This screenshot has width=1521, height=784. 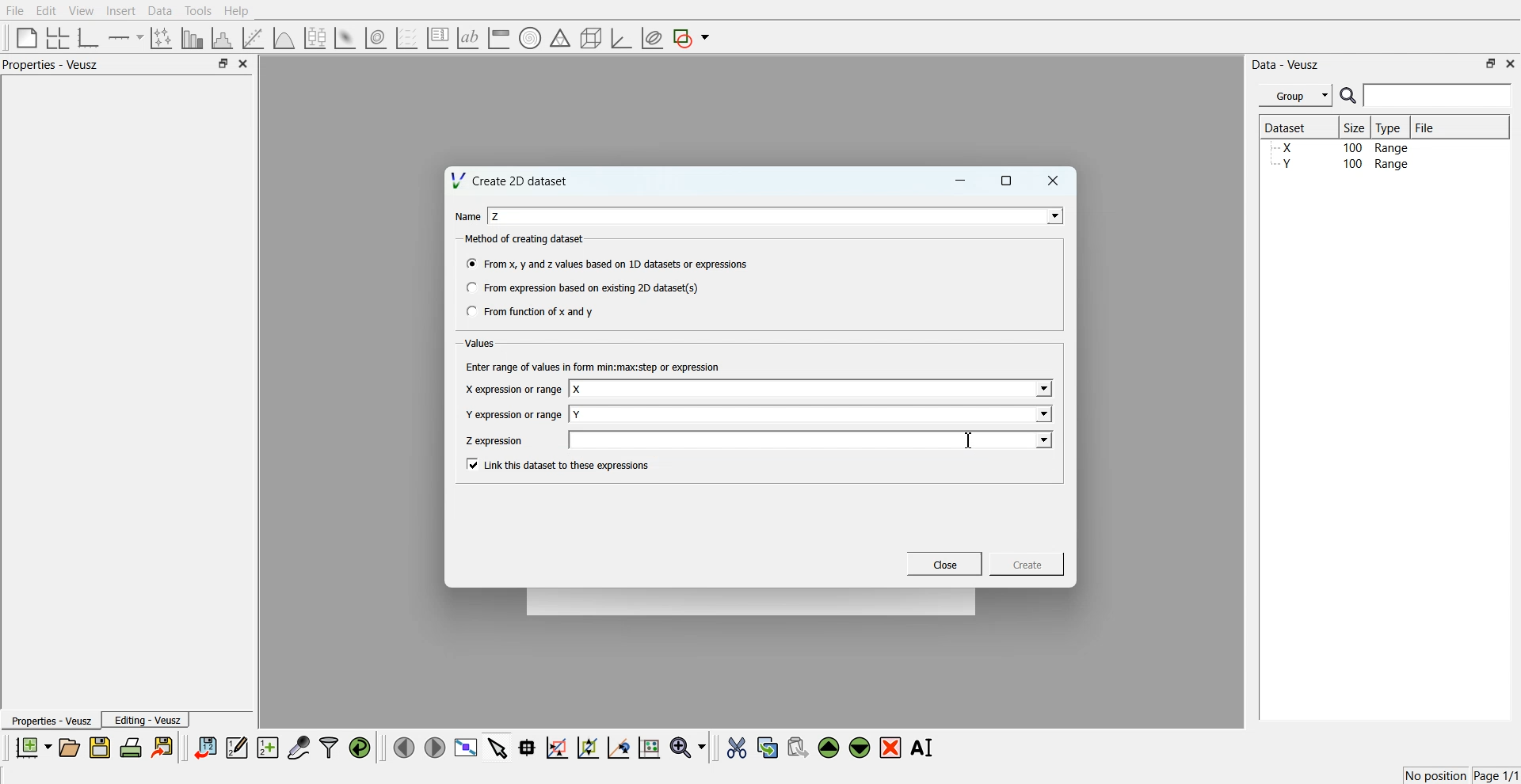 I want to click on Plot points with lines, so click(x=162, y=38).